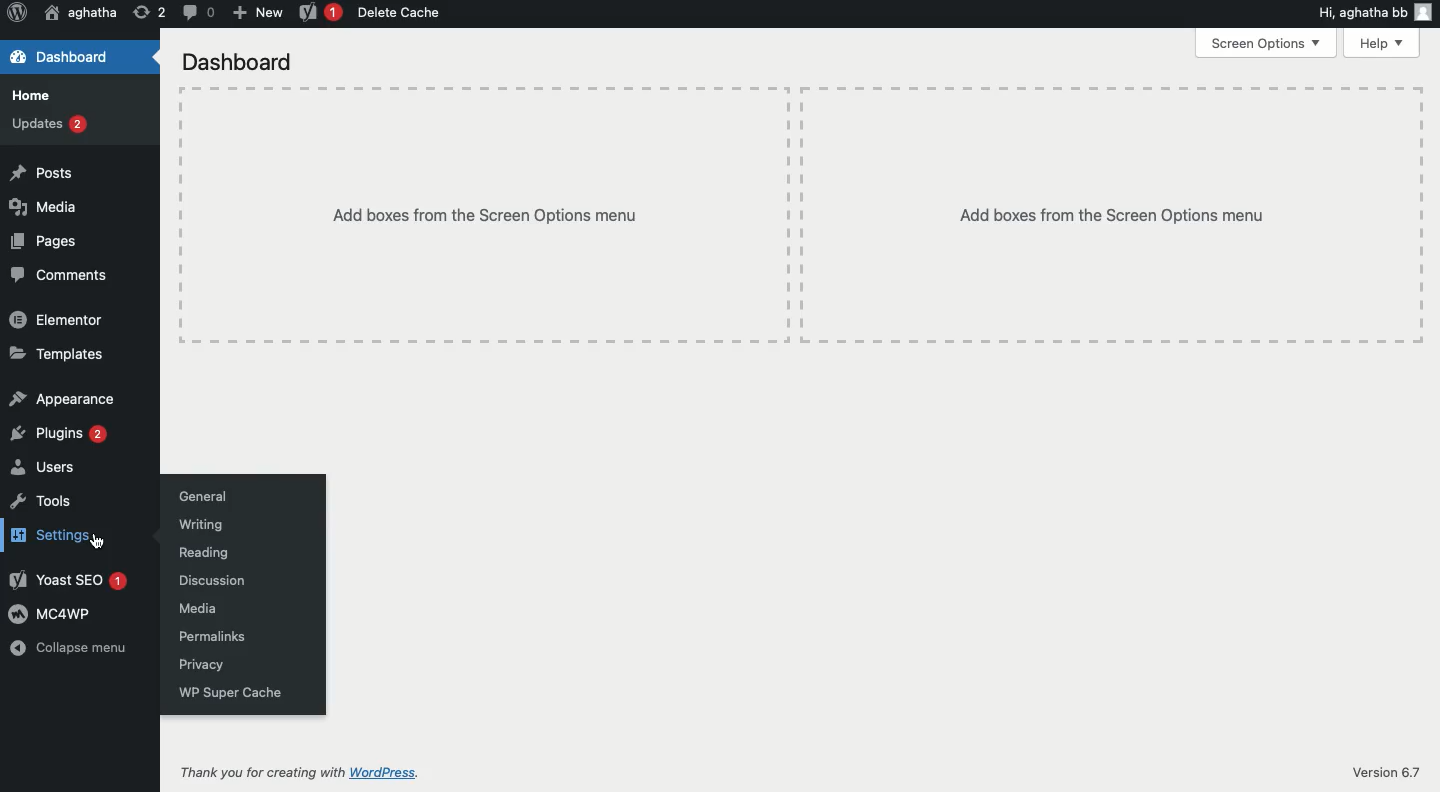 The width and height of the screenshot is (1440, 792). What do you see at coordinates (255, 13) in the screenshot?
I see `New` at bounding box center [255, 13].